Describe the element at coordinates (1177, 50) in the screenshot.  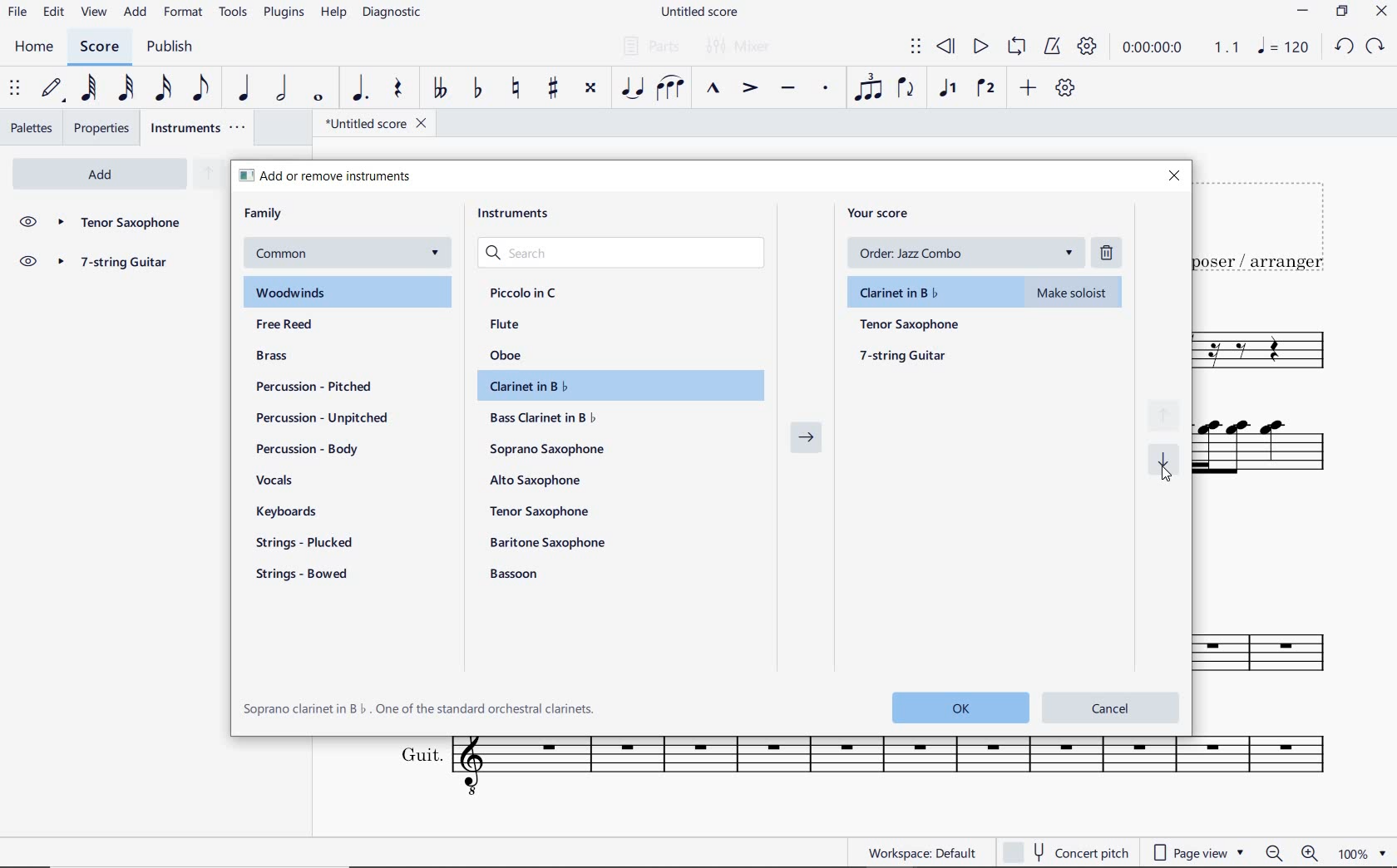
I see `PLAY SPEED` at that location.